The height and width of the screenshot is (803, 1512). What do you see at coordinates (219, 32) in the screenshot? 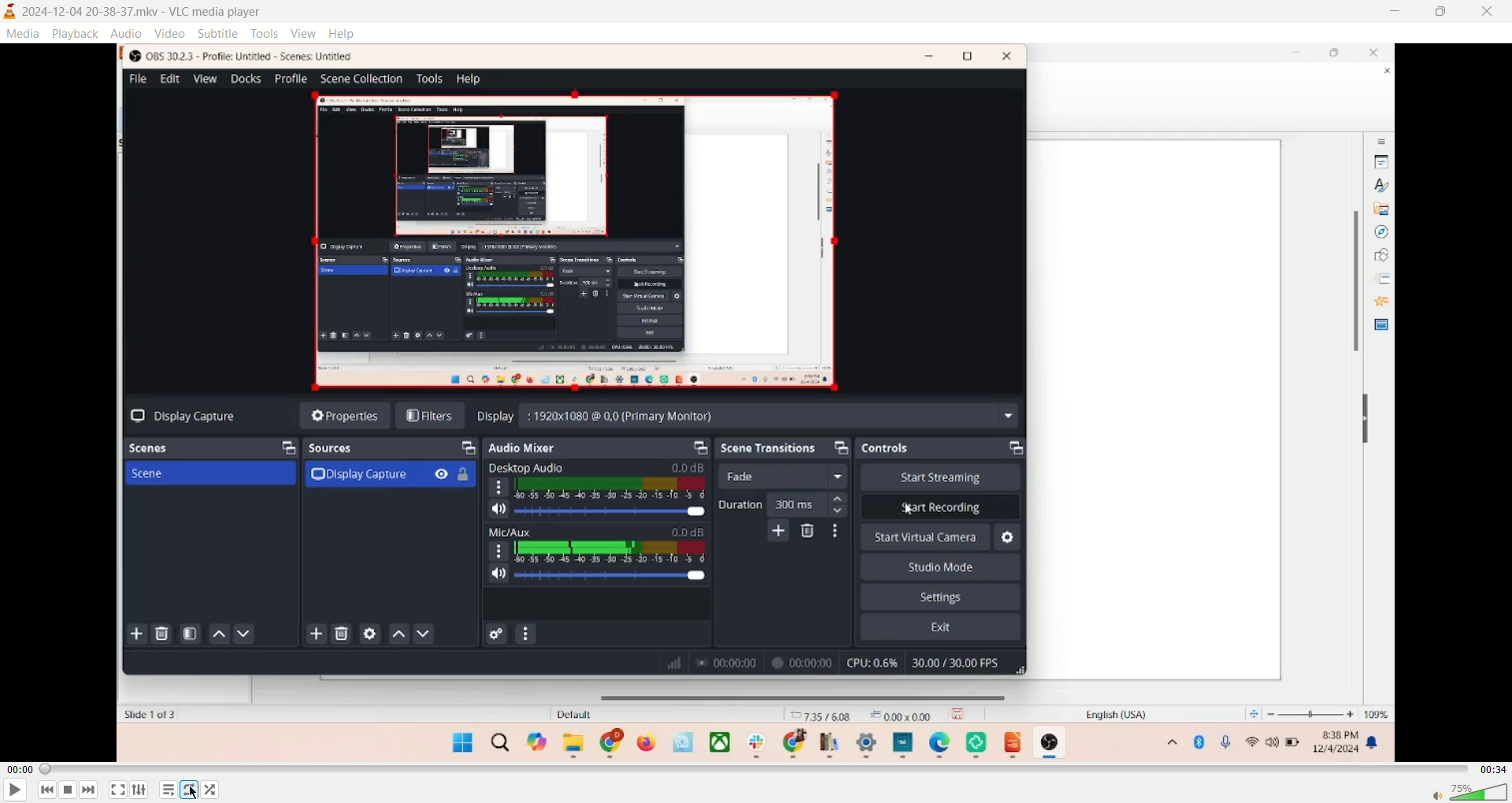
I see `subtitle` at bounding box center [219, 32].